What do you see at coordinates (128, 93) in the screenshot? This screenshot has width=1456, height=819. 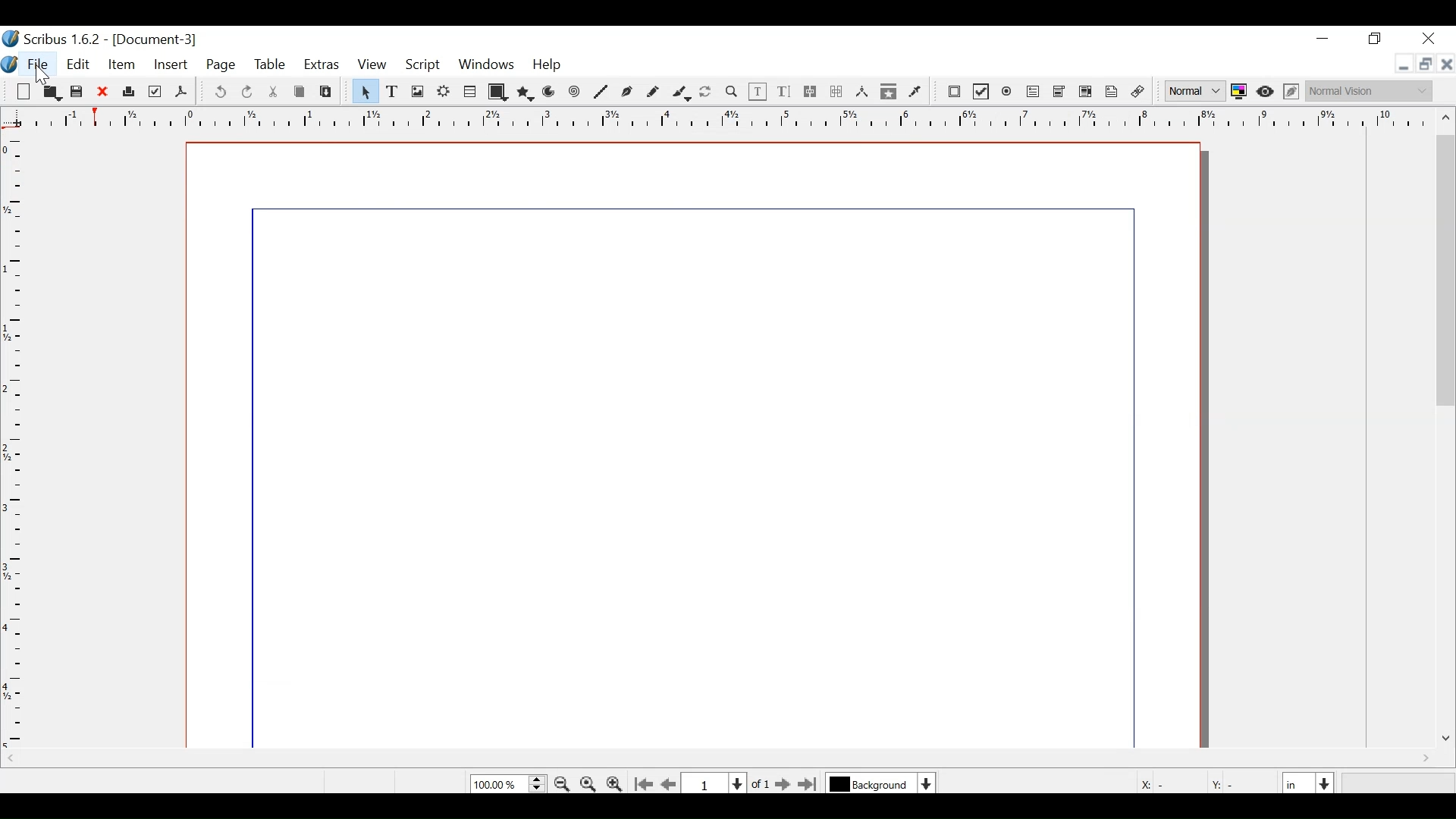 I see `Print` at bounding box center [128, 93].